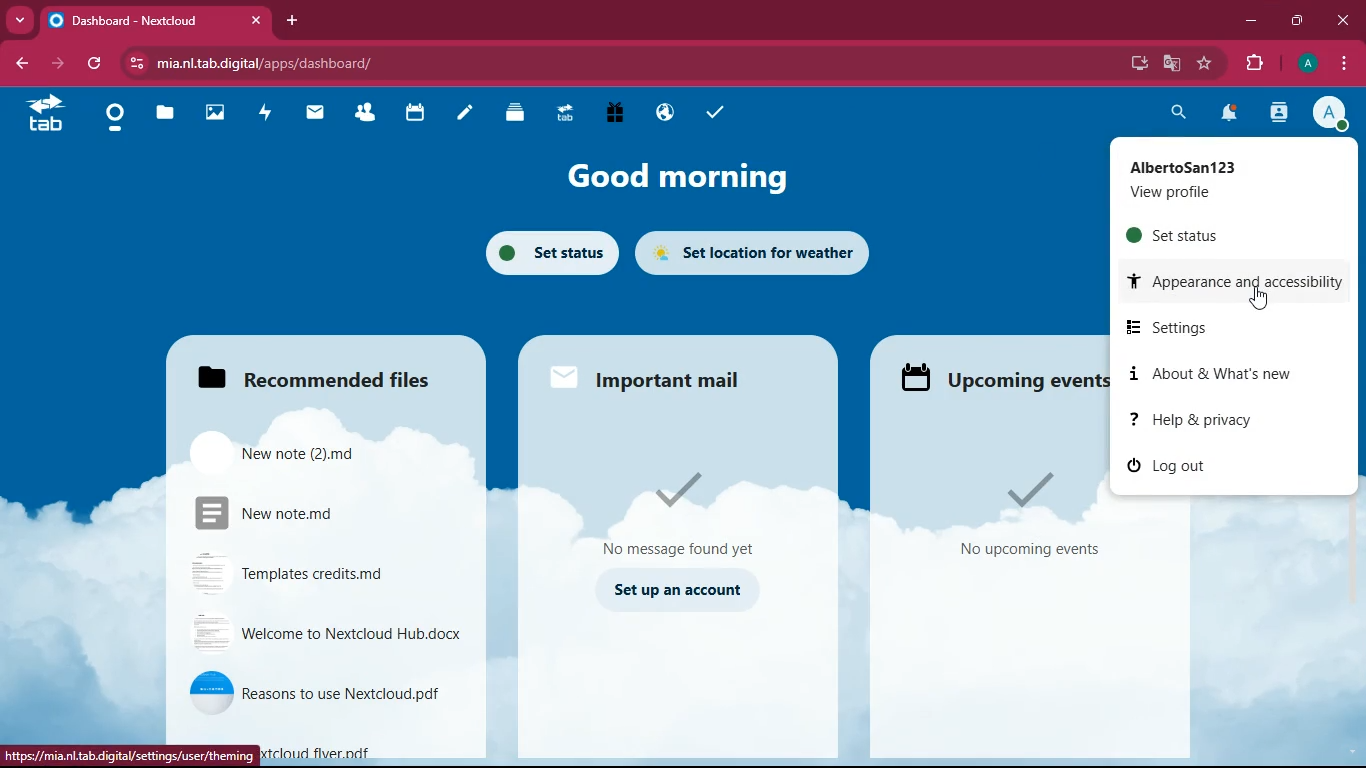  Describe the element at coordinates (1184, 465) in the screenshot. I see `log out` at that location.